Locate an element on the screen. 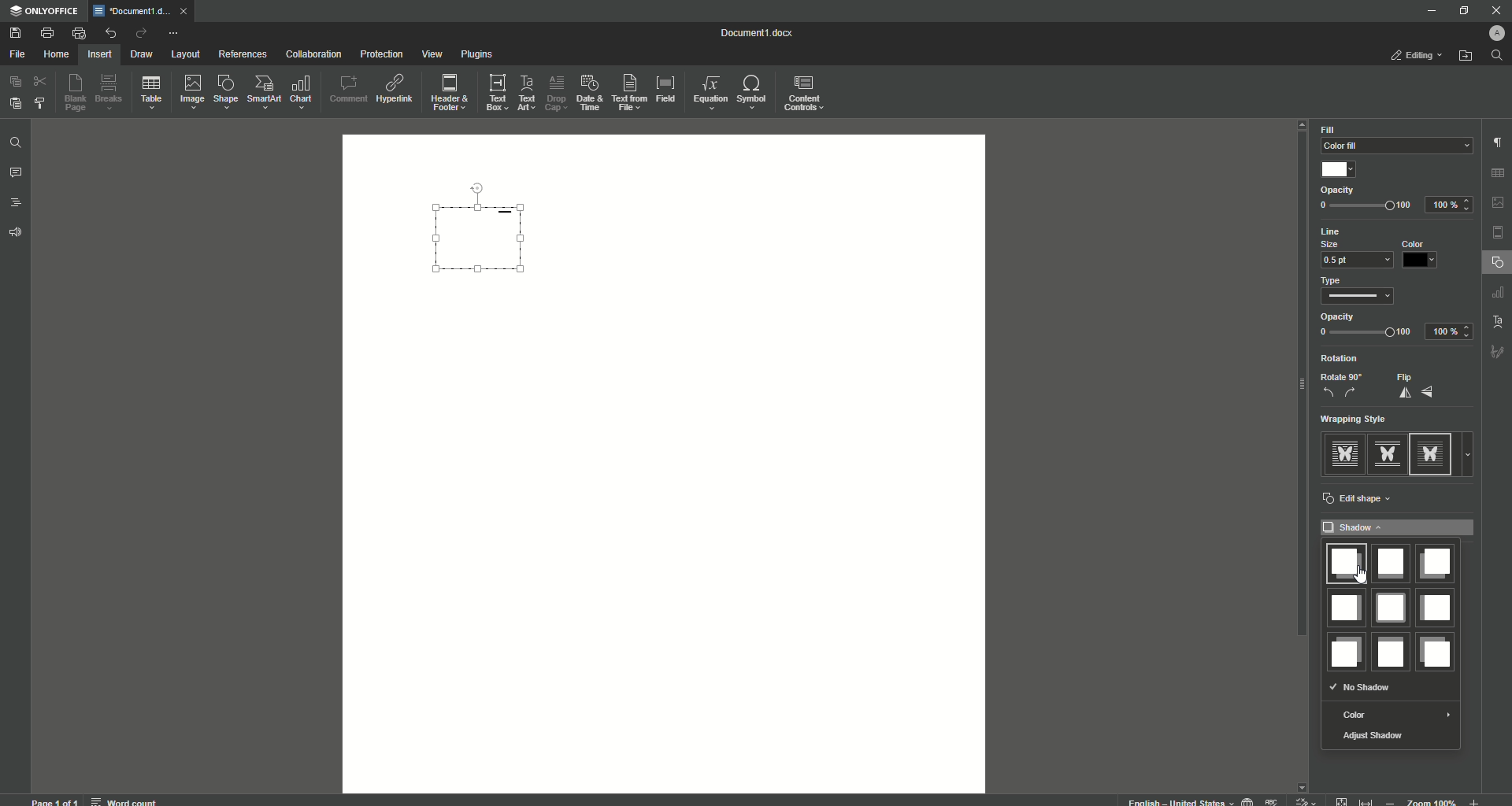 Image resolution: width=1512 pixels, height=806 pixels. Flip is located at coordinates (1418, 386).